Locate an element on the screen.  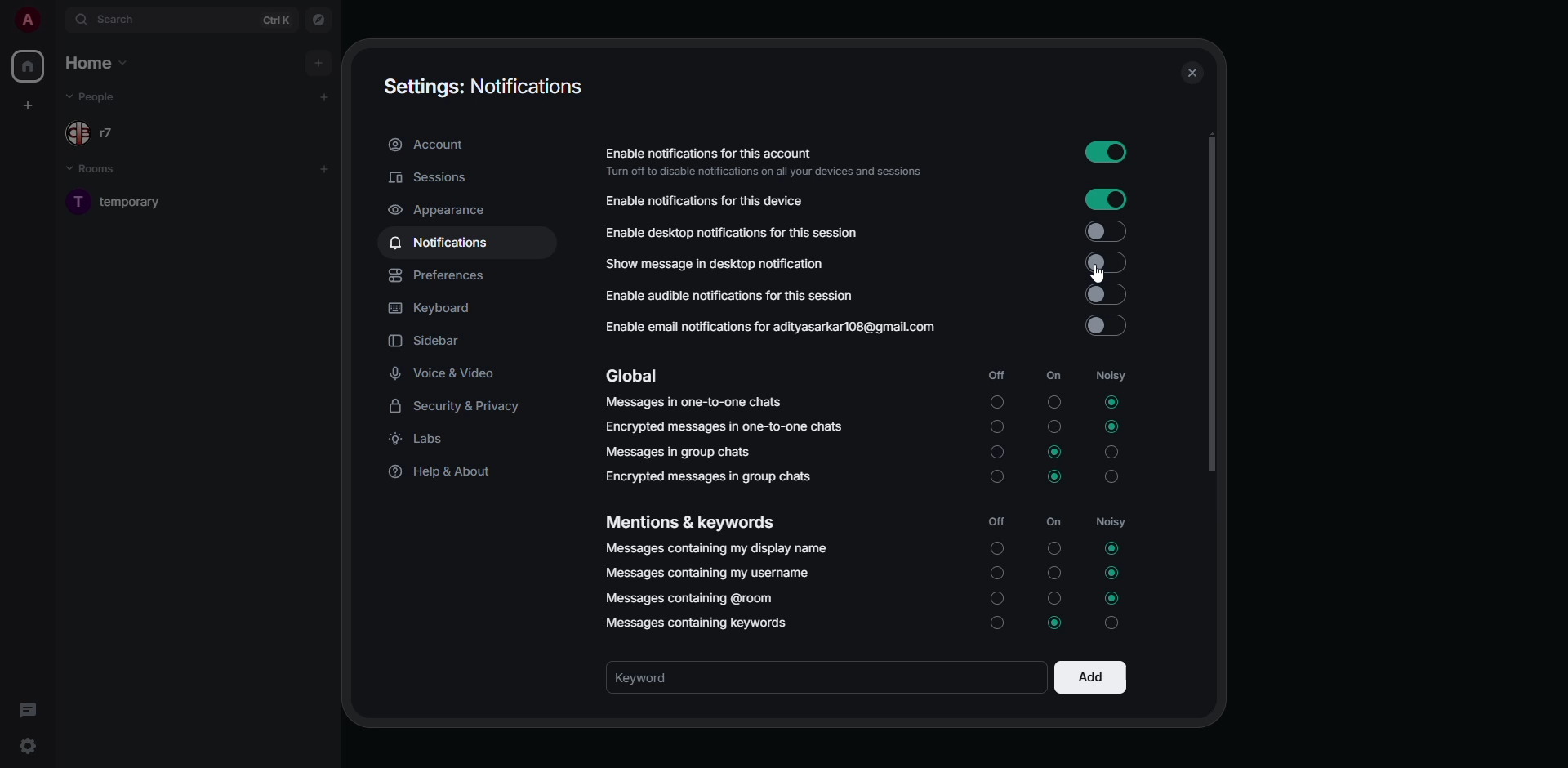
enabled is located at coordinates (1106, 199).